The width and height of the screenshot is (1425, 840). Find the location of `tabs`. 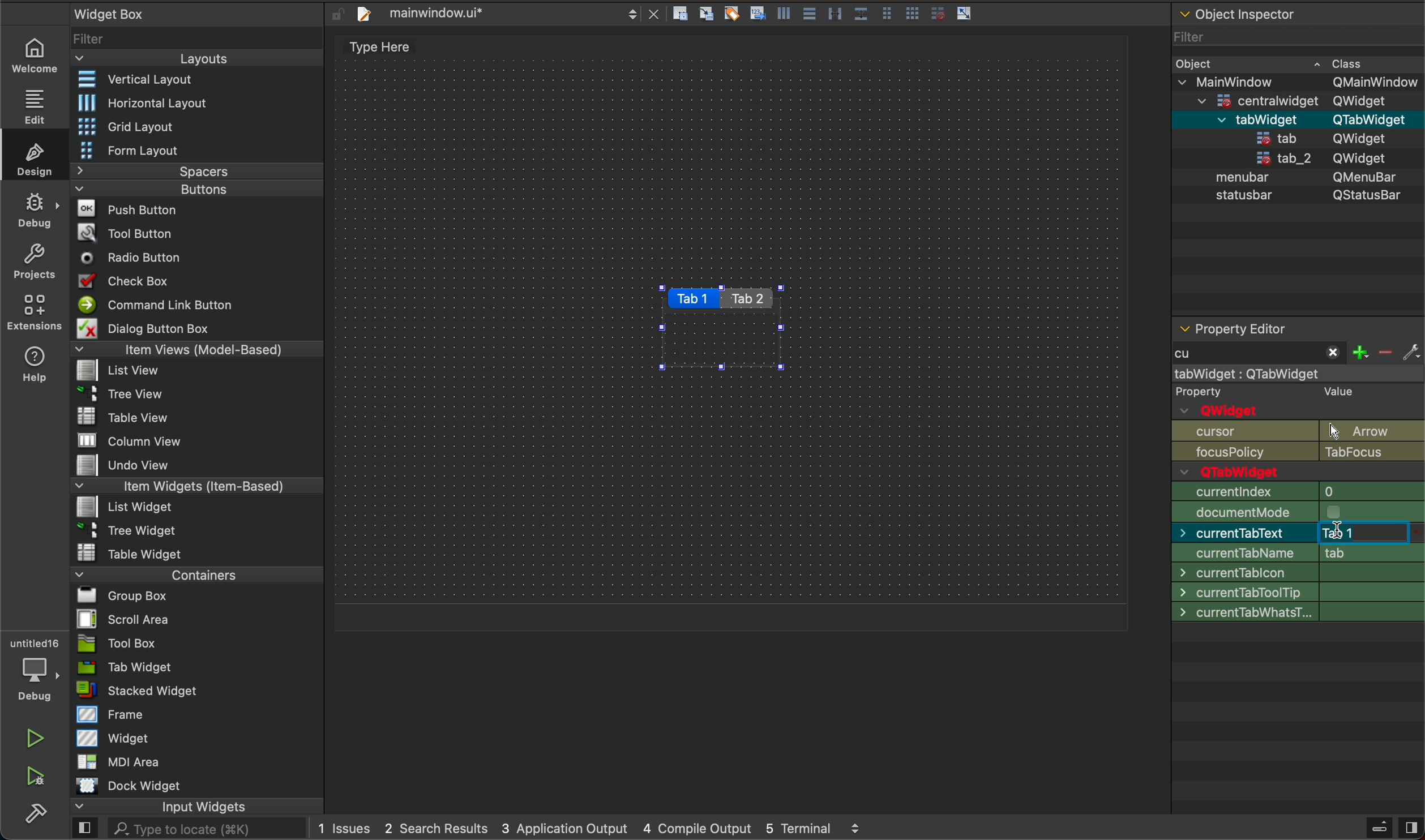

tabs is located at coordinates (724, 327).